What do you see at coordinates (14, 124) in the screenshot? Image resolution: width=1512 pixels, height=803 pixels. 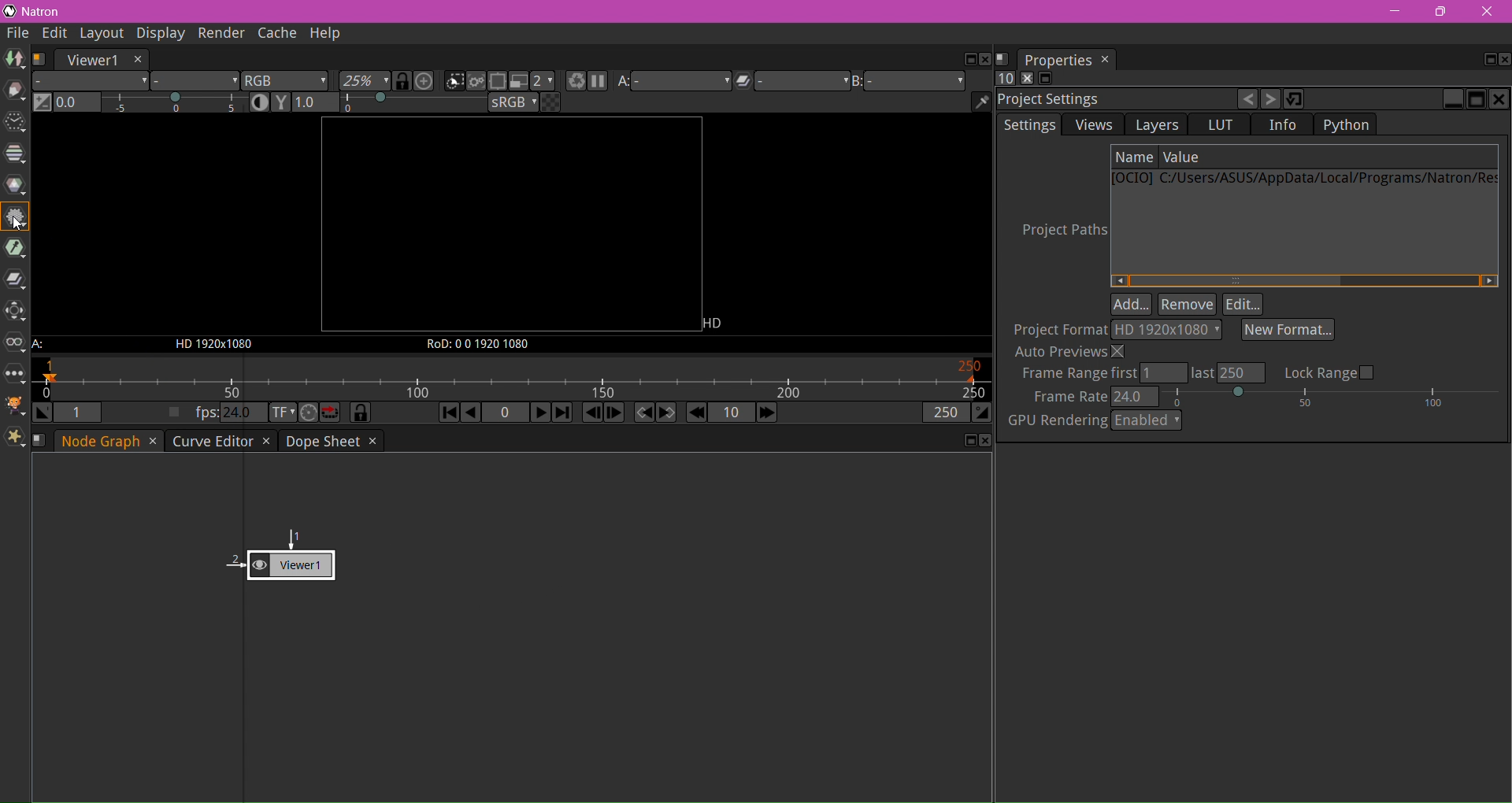 I see `Time` at bounding box center [14, 124].